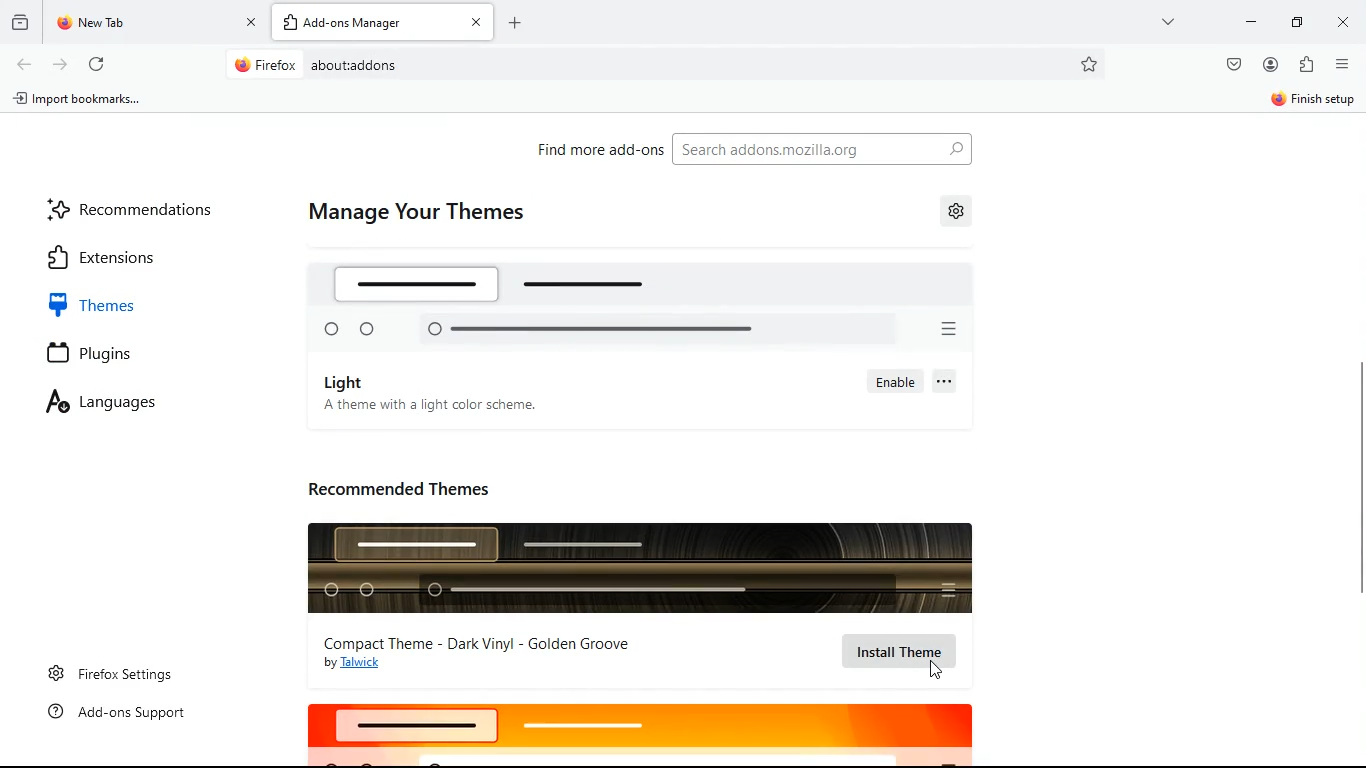 This screenshot has height=768, width=1366. Describe the element at coordinates (413, 487) in the screenshot. I see `recommended themes` at that location.